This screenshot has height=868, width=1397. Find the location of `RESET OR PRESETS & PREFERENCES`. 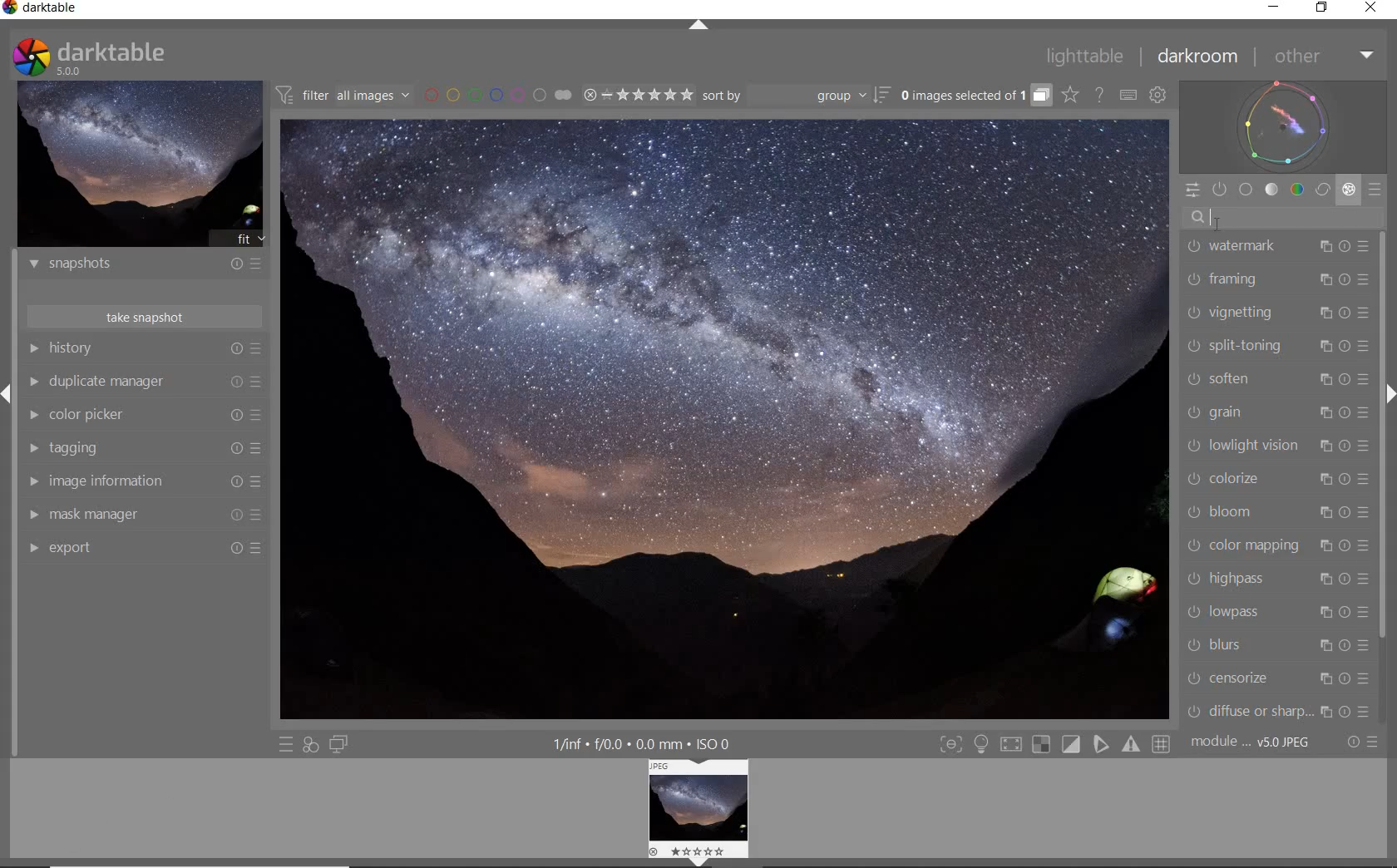

RESET OR PRESETS & PREFERENCES is located at coordinates (1364, 741).